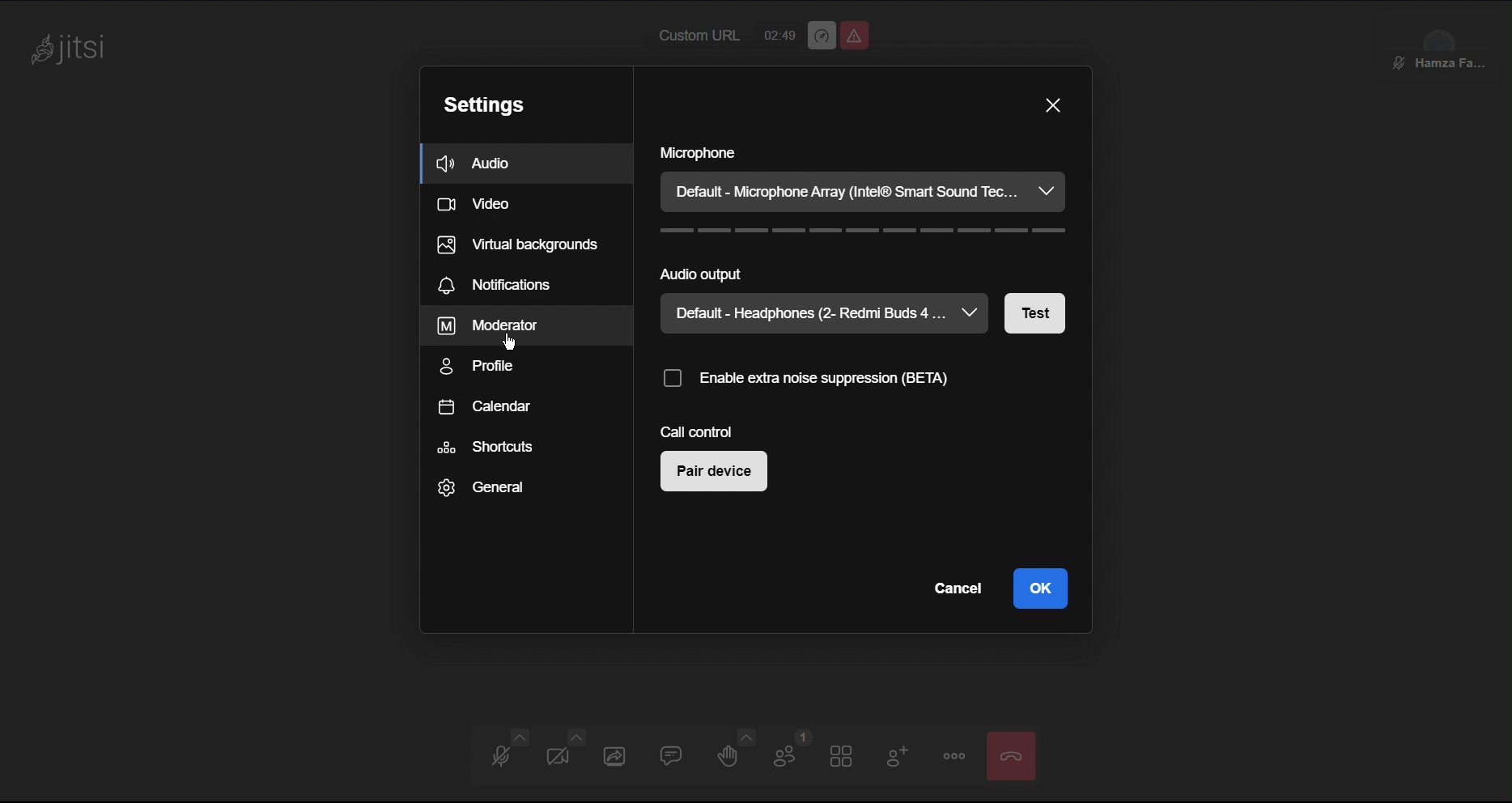 This screenshot has height=803, width=1512. I want to click on Add Participant, so click(897, 758).